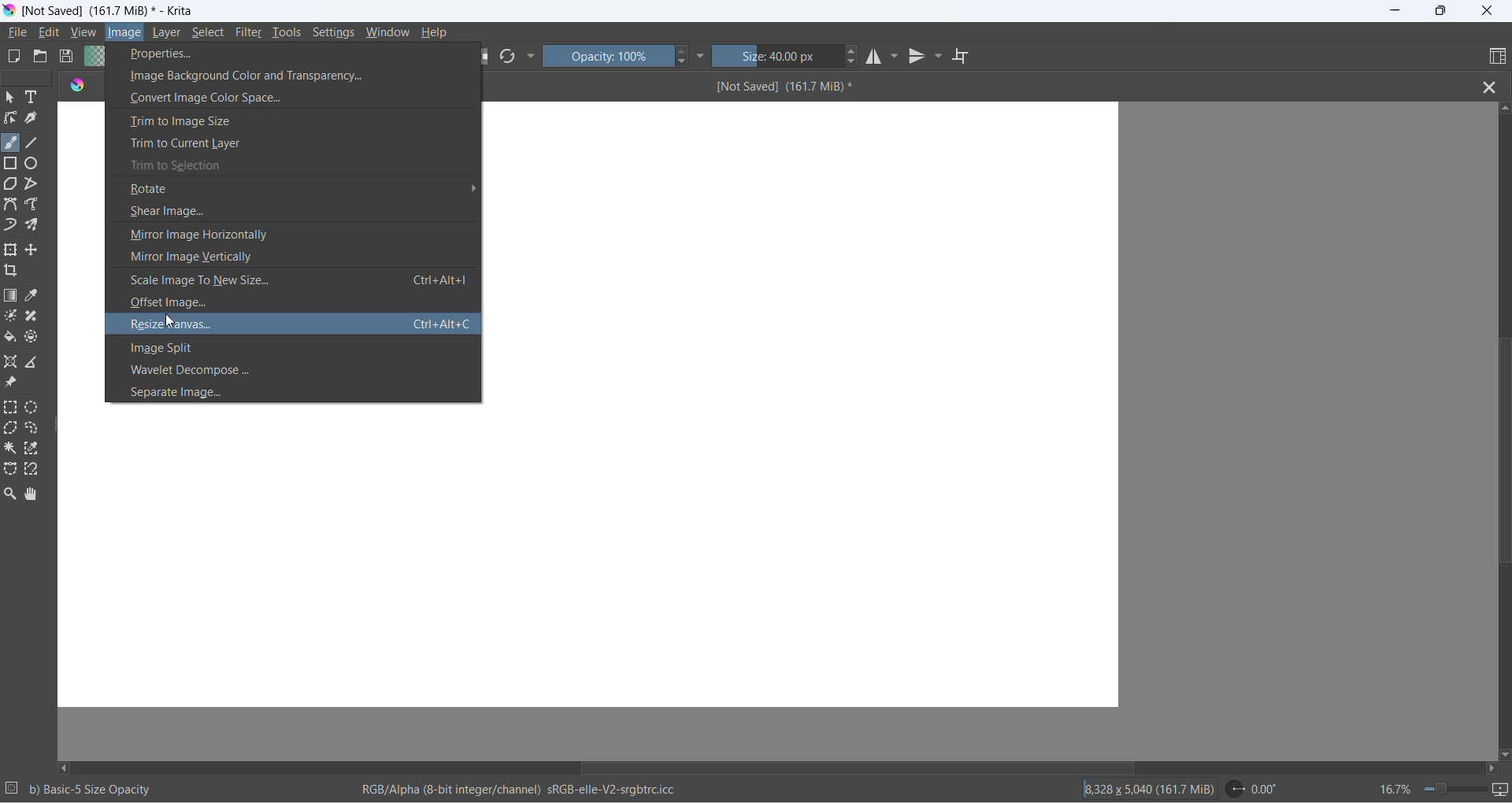 This screenshot has height=803, width=1512. I want to click on multibrush tool, so click(37, 225).